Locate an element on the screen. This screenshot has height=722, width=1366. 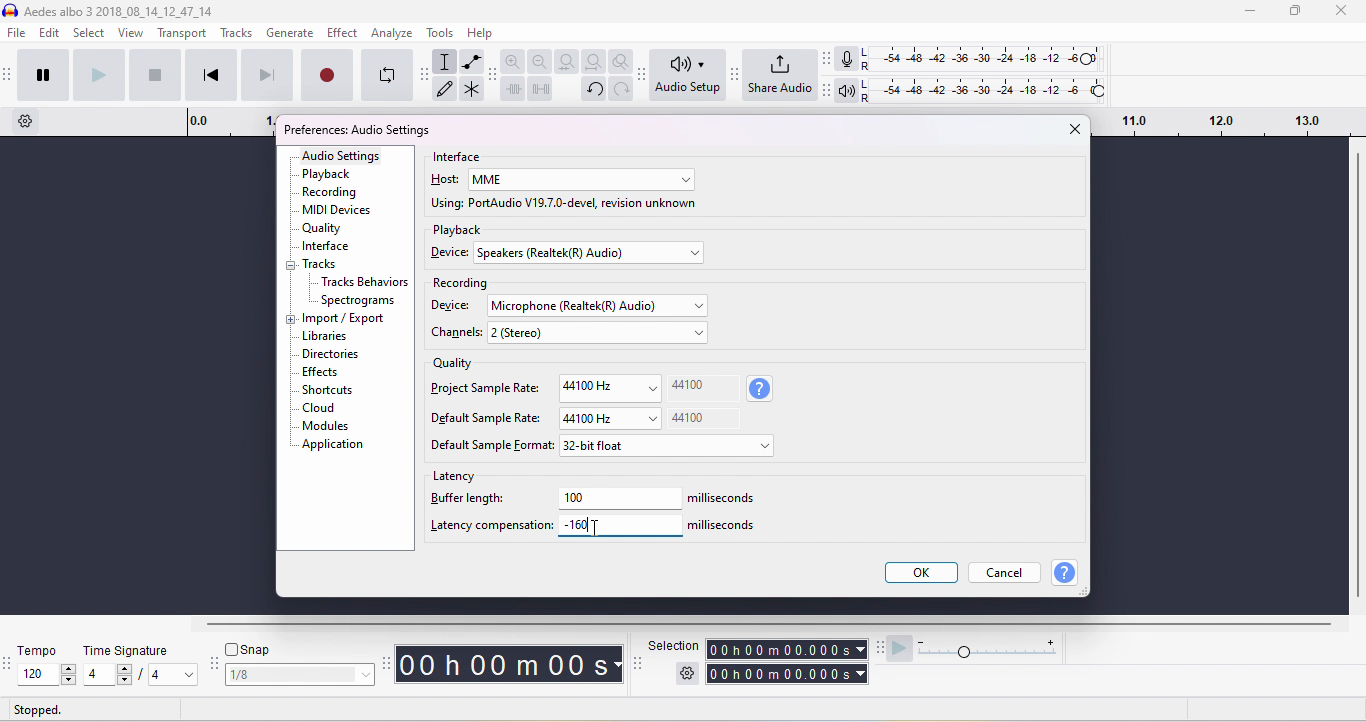
recording level is located at coordinates (989, 59).